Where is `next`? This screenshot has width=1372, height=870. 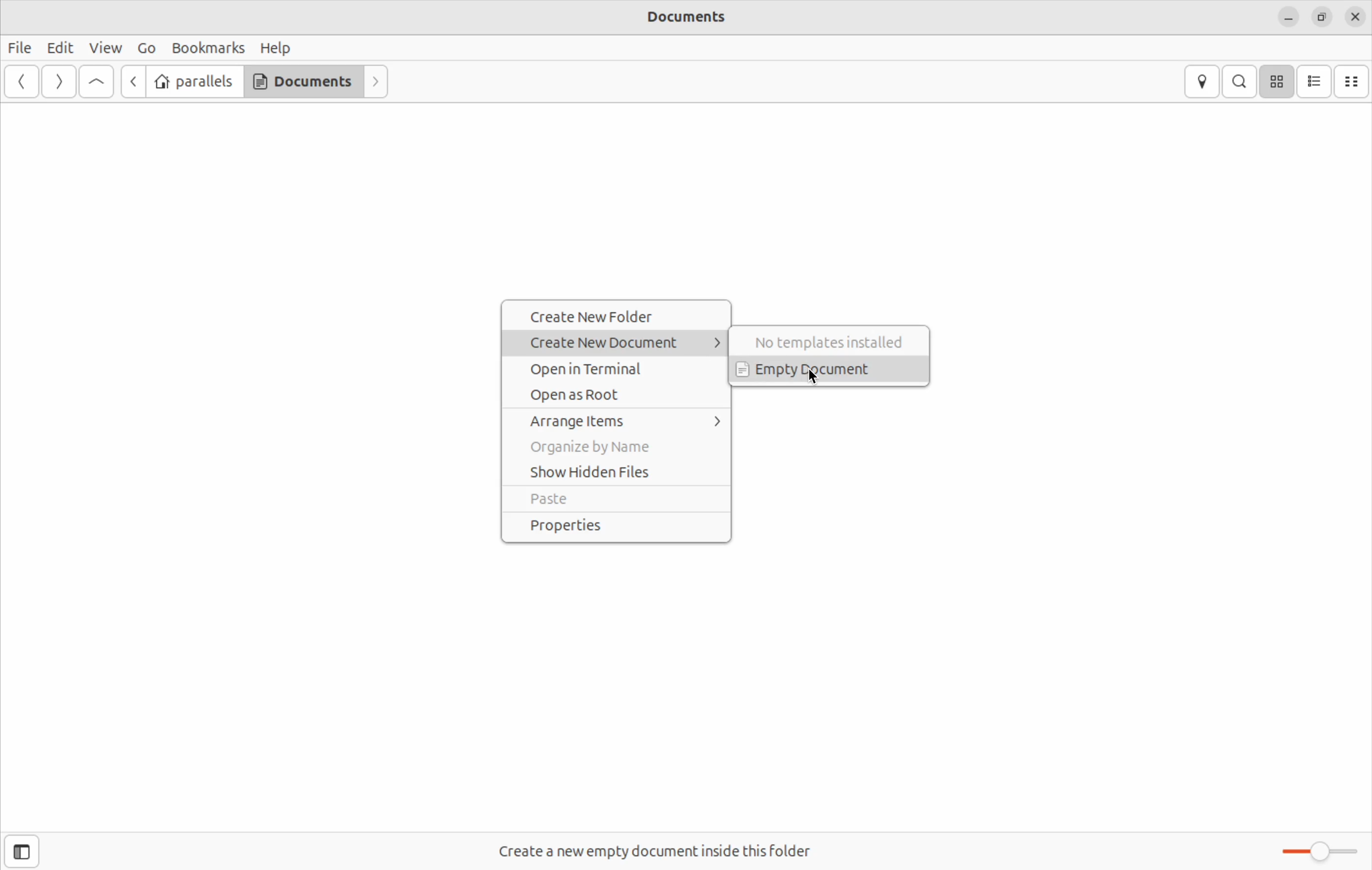
next is located at coordinates (57, 82).